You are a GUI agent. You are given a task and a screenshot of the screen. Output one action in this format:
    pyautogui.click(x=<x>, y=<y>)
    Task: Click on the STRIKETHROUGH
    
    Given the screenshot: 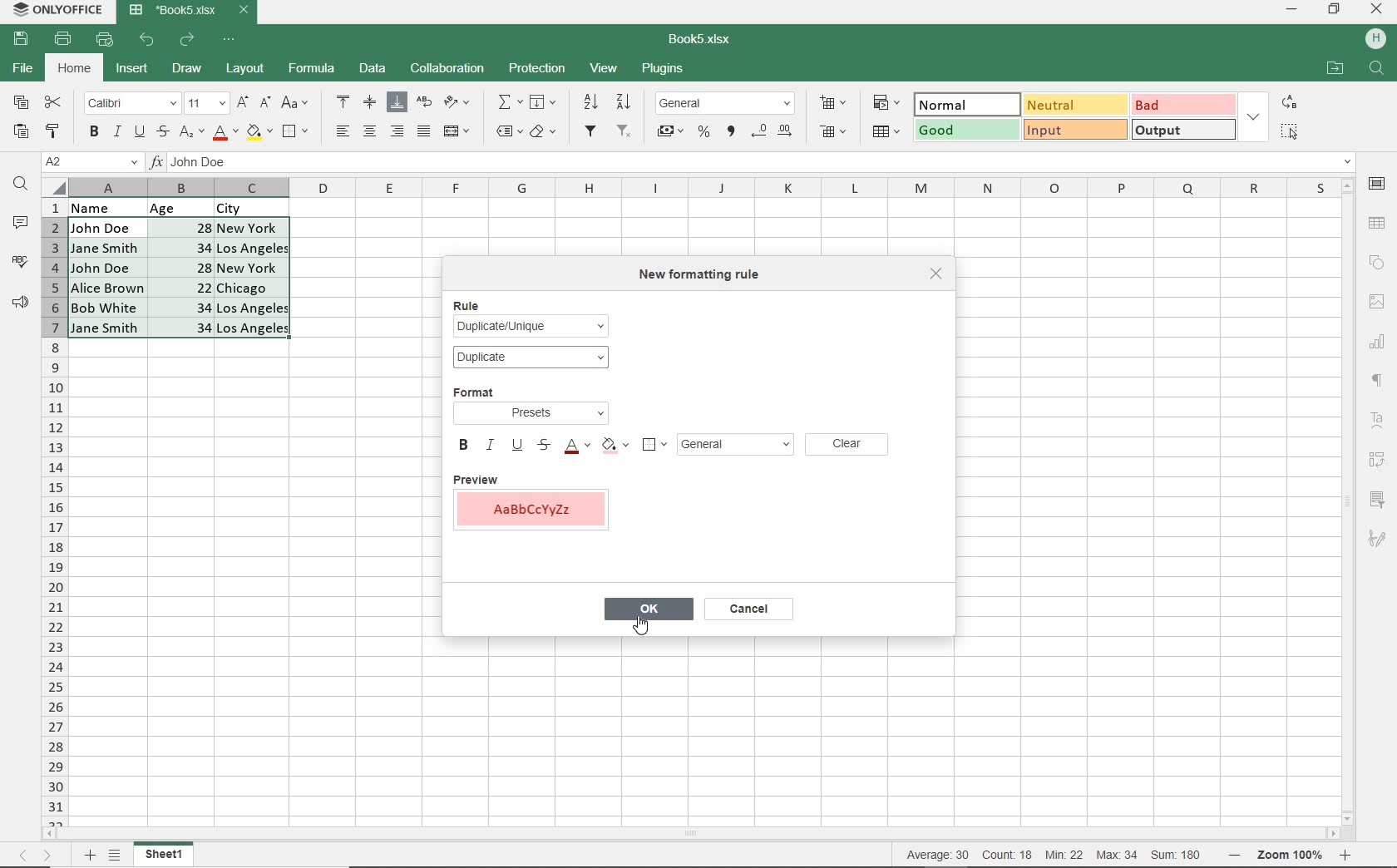 What is the action you would take?
    pyautogui.click(x=161, y=131)
    